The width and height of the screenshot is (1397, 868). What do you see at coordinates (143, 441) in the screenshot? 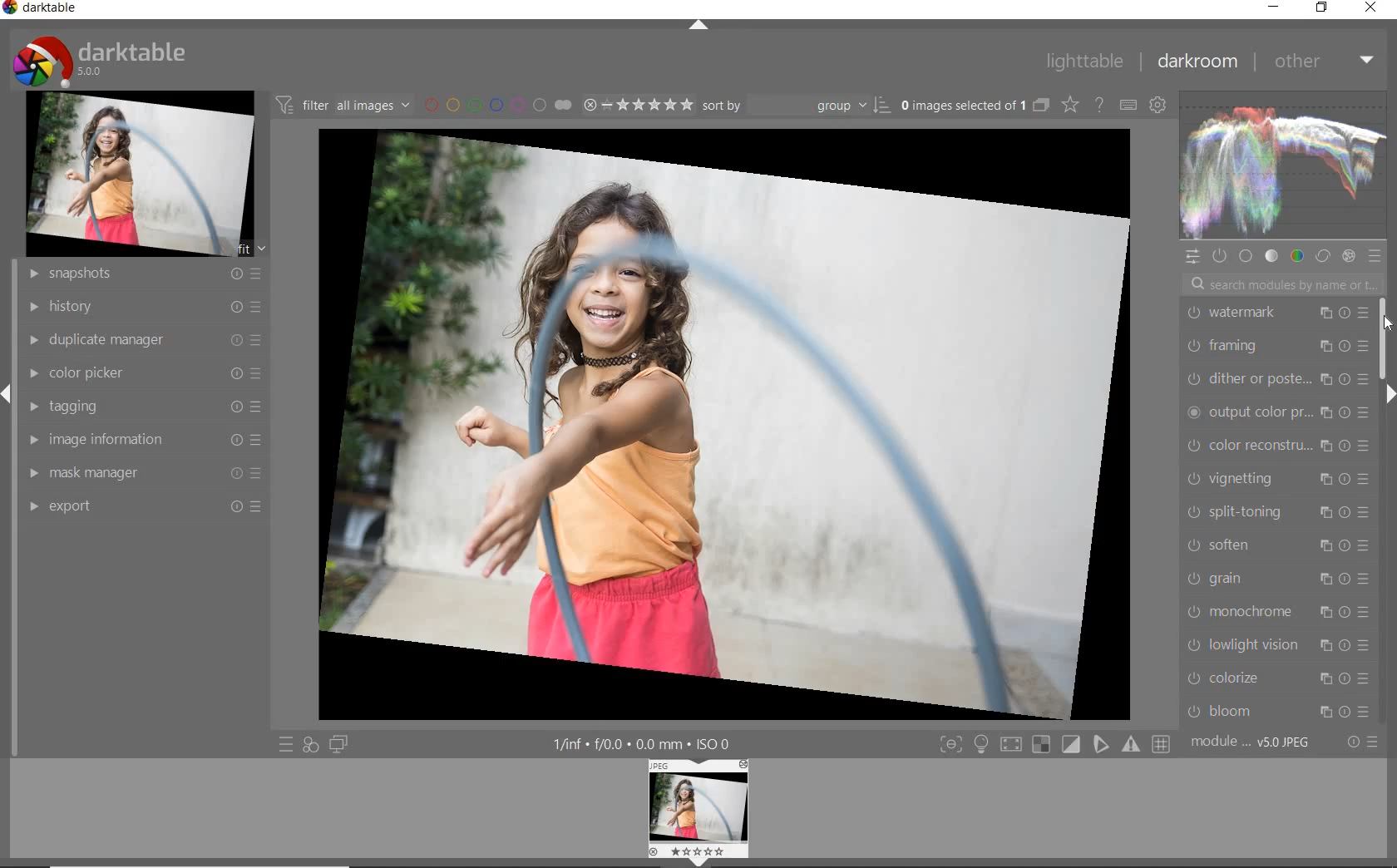
I see `image information` at bounding box center [143, 441].